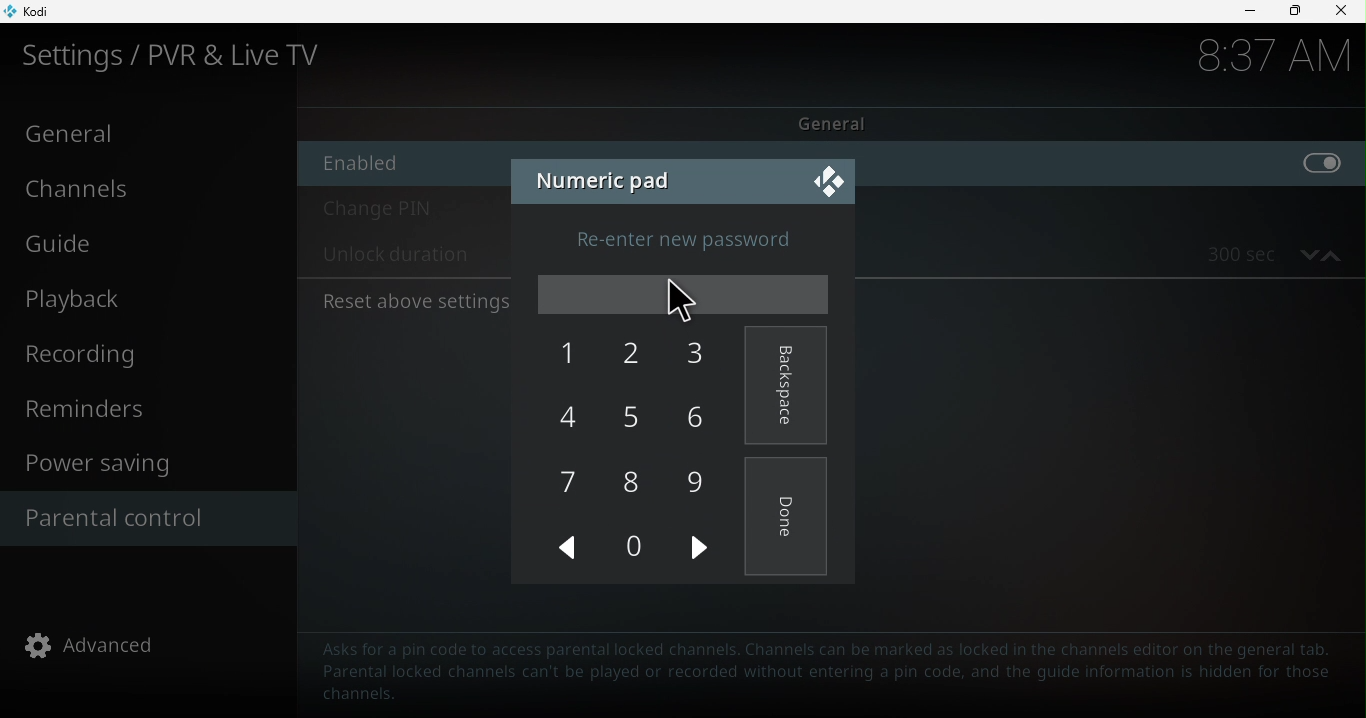 The height and width of the screenshot is (718, 1366). I want to click on decrease, so click(1306, 253).